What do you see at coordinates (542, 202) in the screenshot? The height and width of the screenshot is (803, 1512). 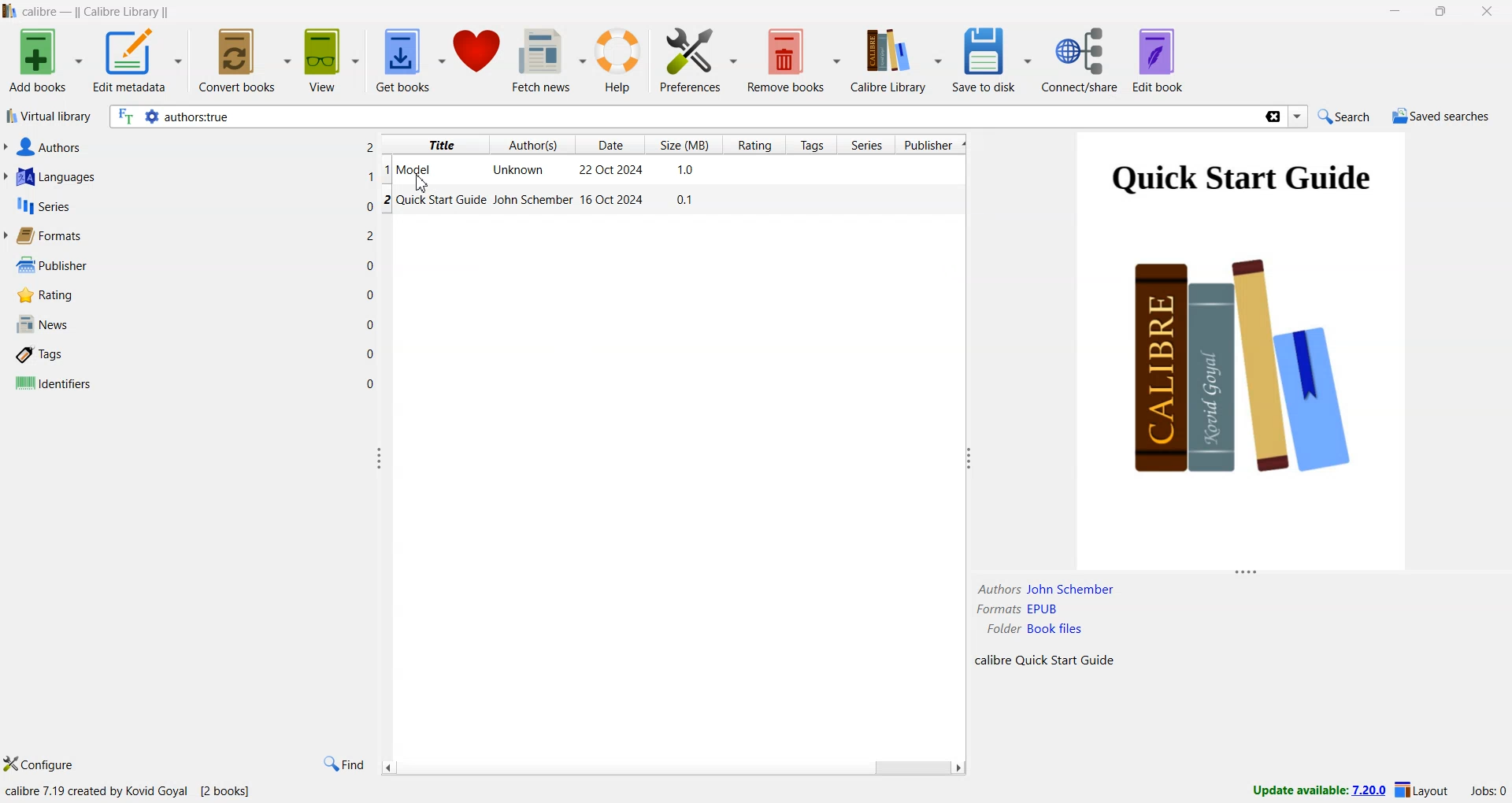 I see `book-2 details` at bounding box center [542, 202].